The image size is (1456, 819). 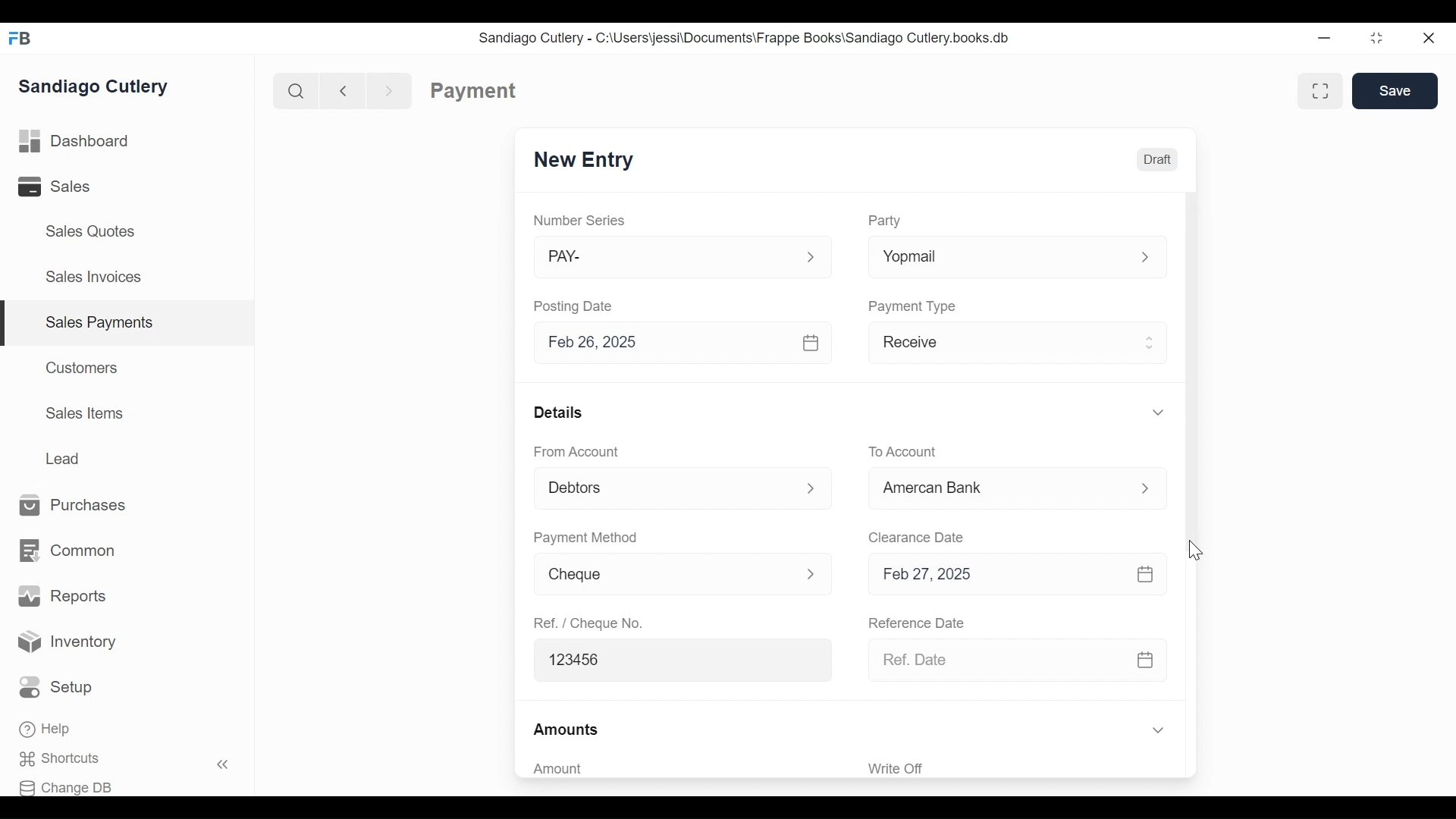 What do you see at coordinates (1395, 90) in the screenshot?
I see `Save` at bounding box center [1395, 90].